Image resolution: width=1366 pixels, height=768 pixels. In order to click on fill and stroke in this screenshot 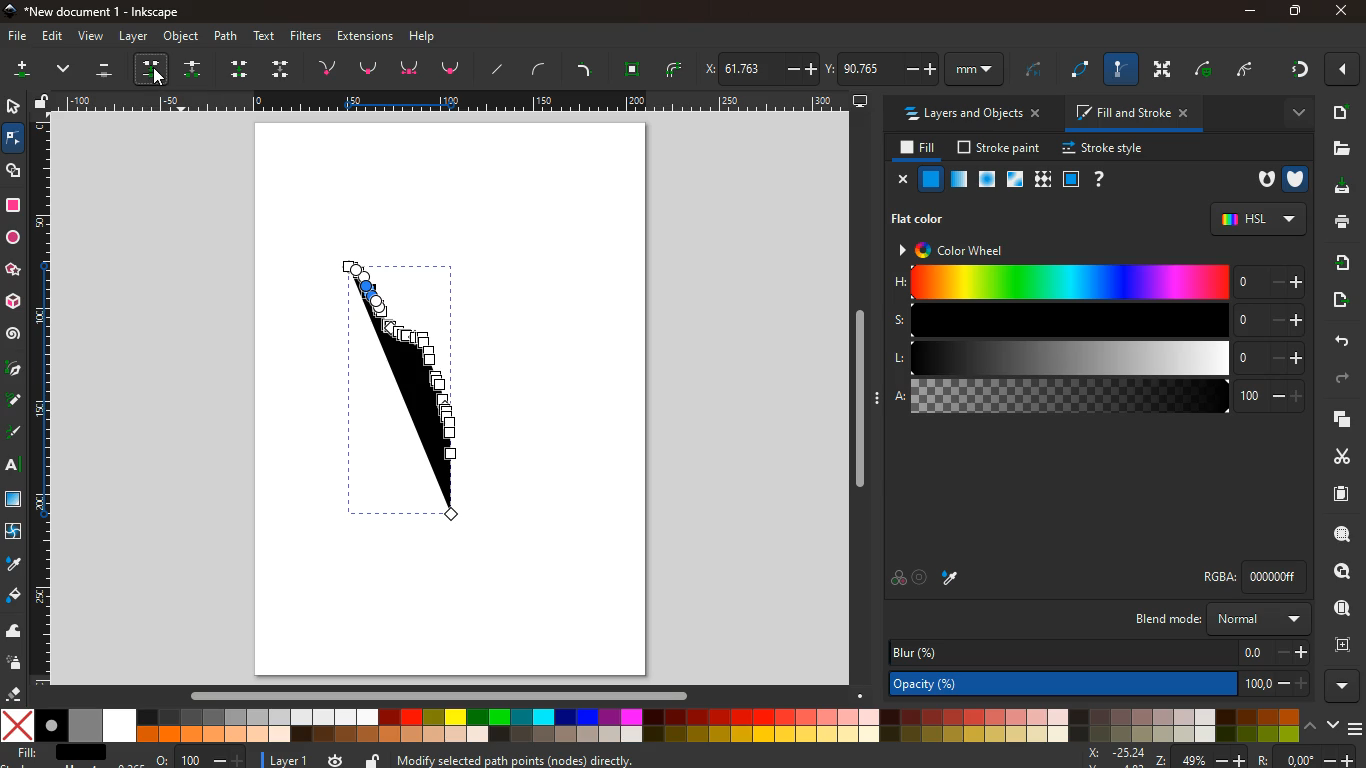, I will do `click(1133, 112)`.